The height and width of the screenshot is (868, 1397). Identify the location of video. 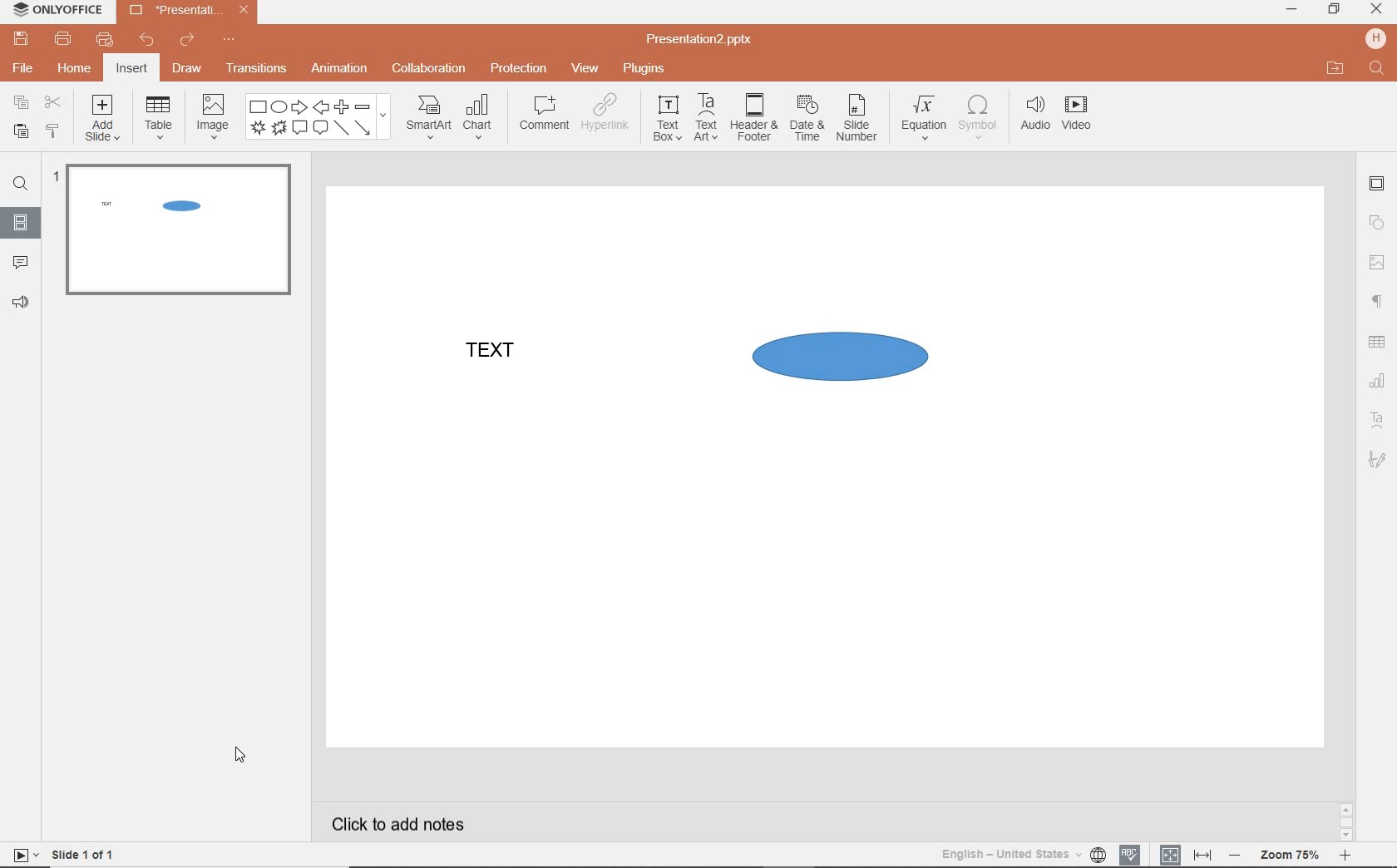
(1078, 116).